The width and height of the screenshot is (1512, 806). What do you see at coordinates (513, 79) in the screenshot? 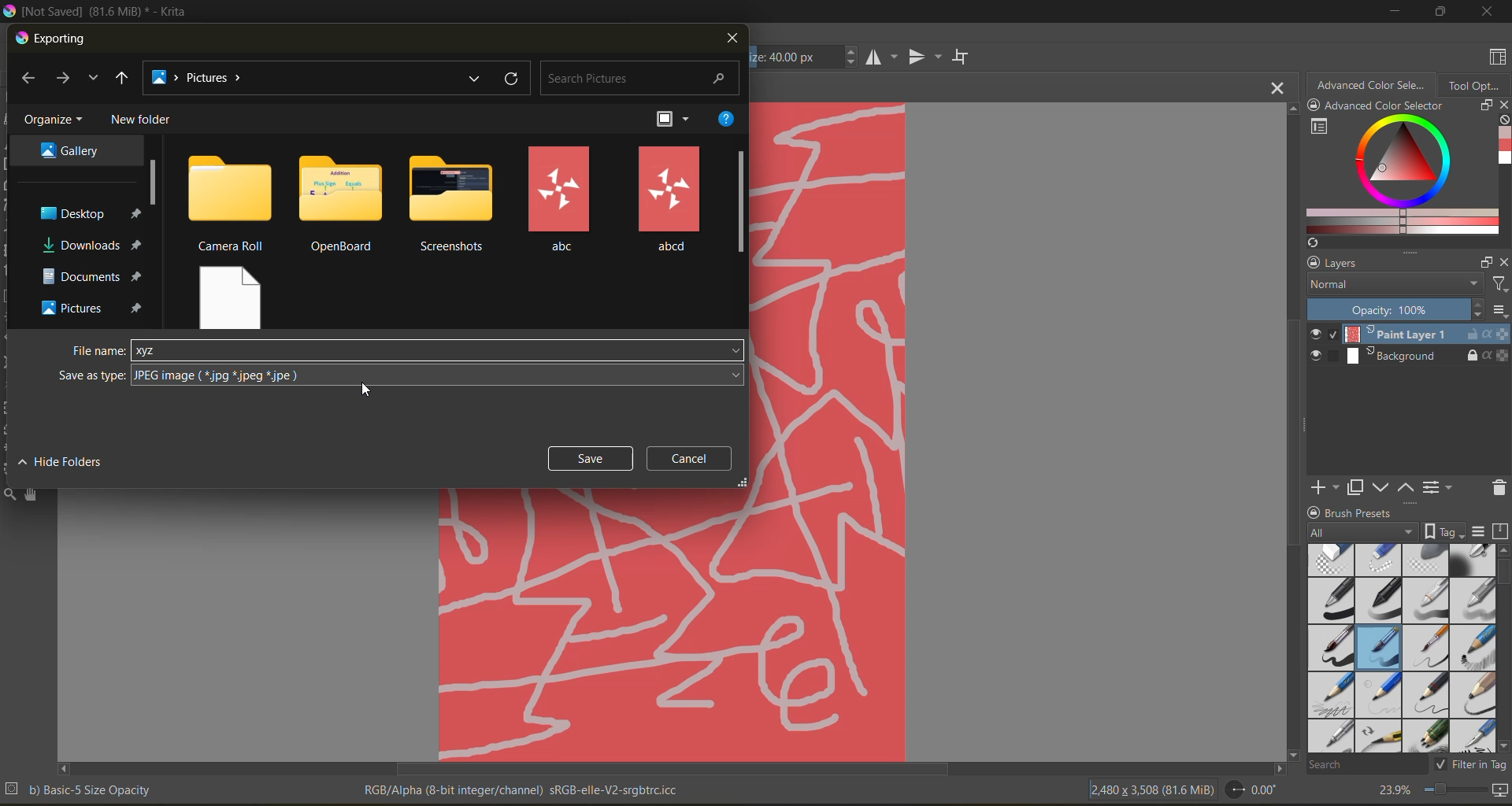
I see `refresh` at bounding box center [513, 79].